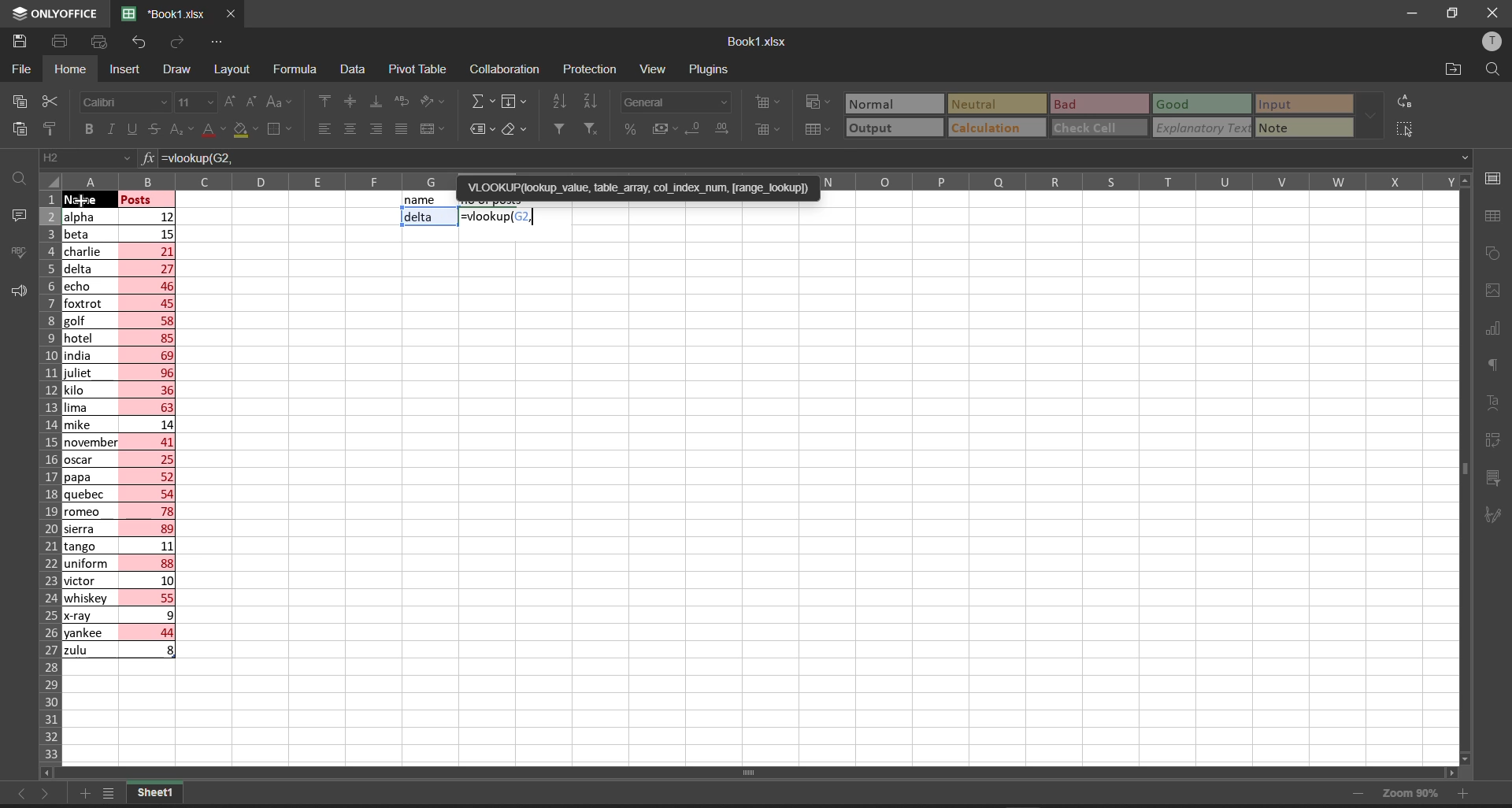  I want to click on file, so click(23, 68).